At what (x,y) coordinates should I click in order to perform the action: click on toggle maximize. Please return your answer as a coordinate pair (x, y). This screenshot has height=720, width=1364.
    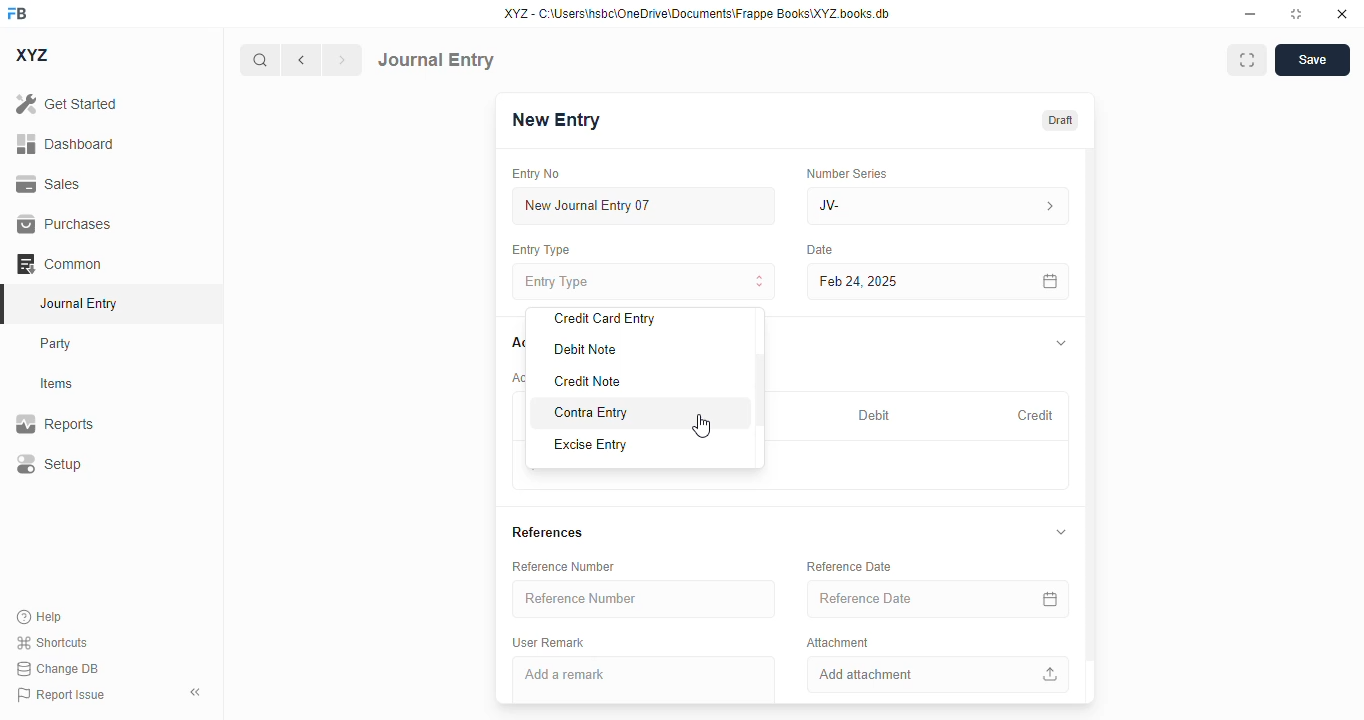
    Looking at the image, I should click on (1296, 14).